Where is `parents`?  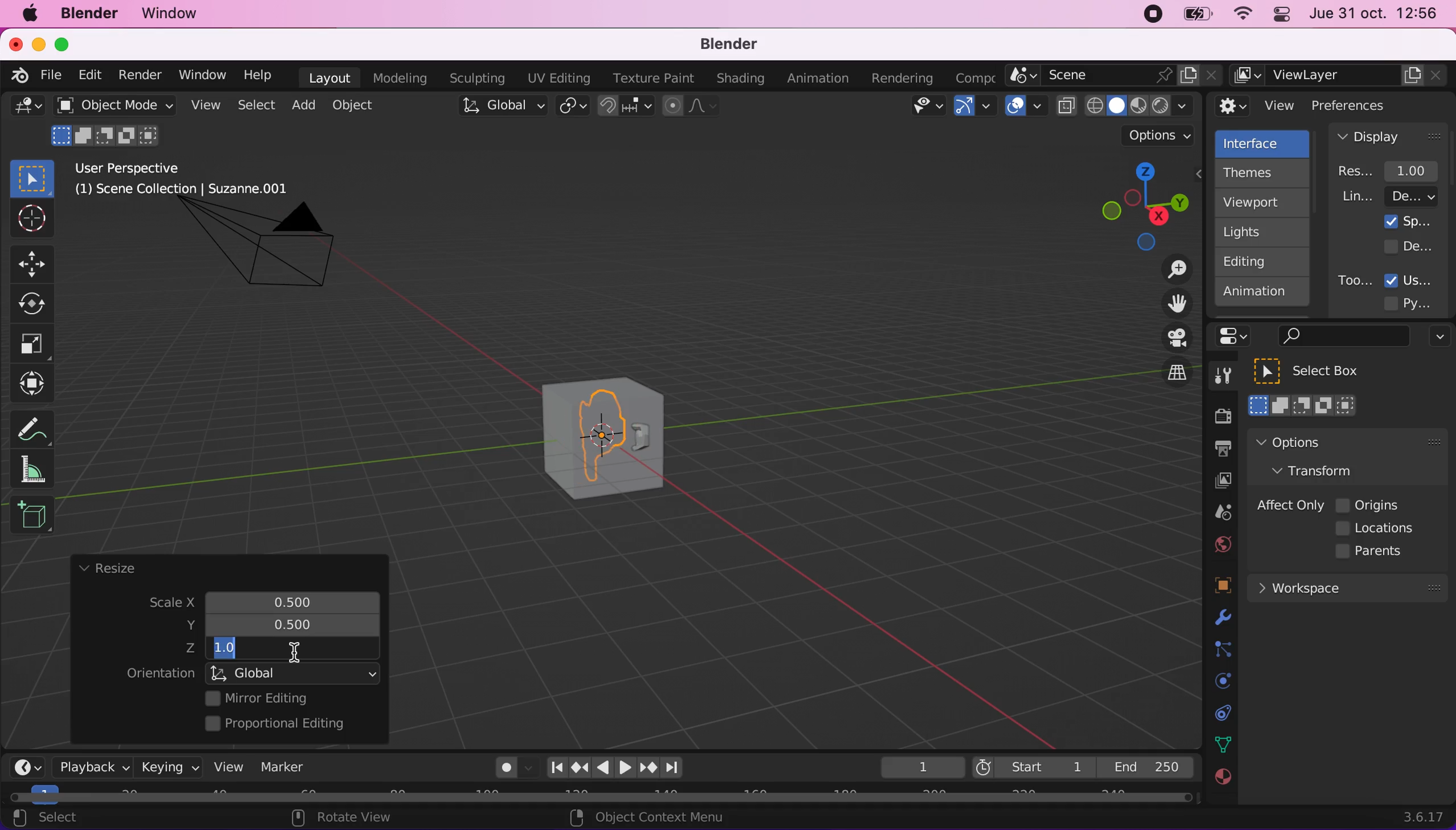
parents is located at coordinates (1375, 552).